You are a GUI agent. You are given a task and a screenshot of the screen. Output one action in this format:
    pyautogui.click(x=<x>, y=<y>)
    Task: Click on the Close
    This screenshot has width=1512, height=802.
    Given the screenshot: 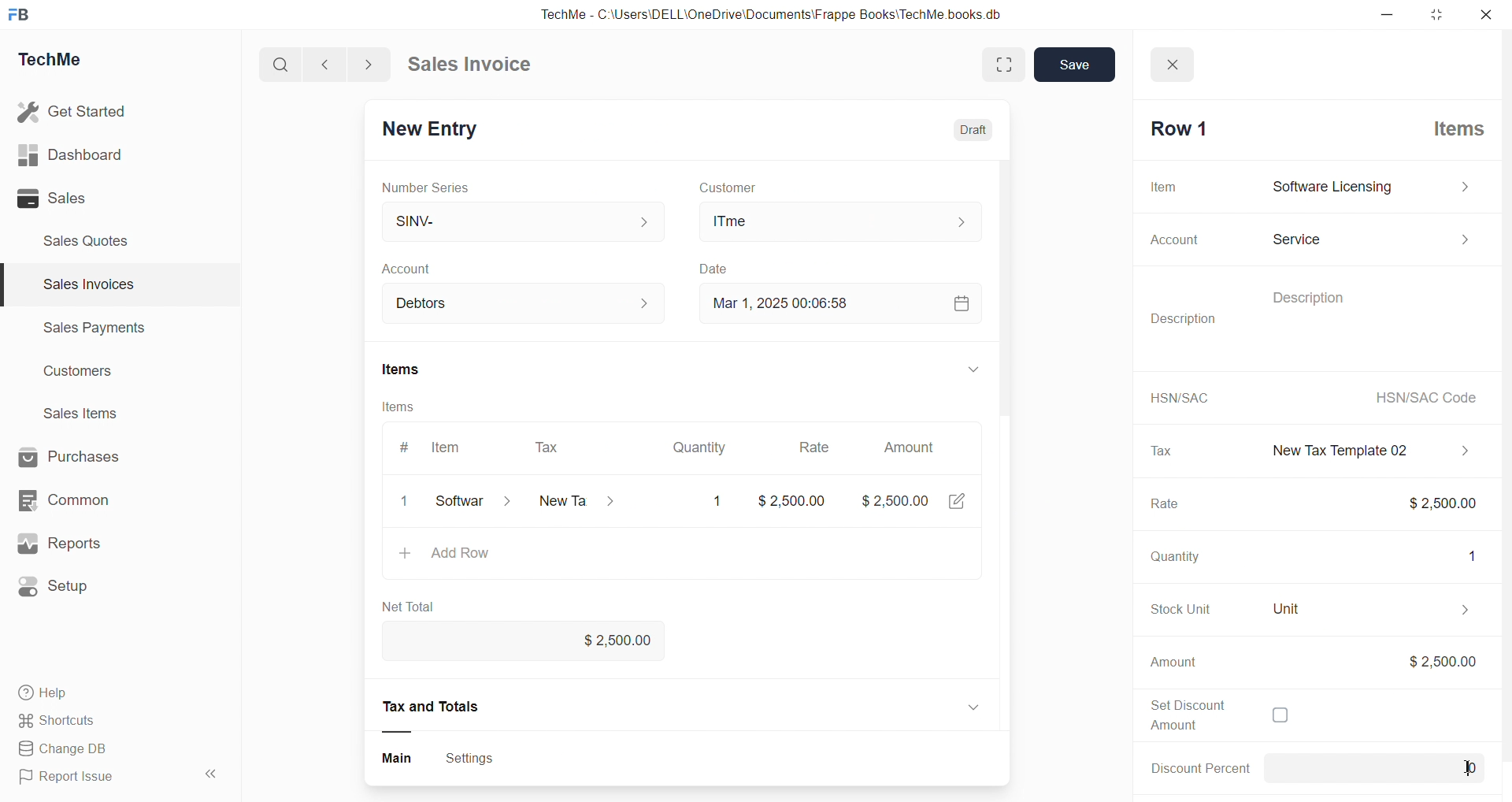 What is the action you would take?
    pyautogui.click(x=1490, y=18)
    